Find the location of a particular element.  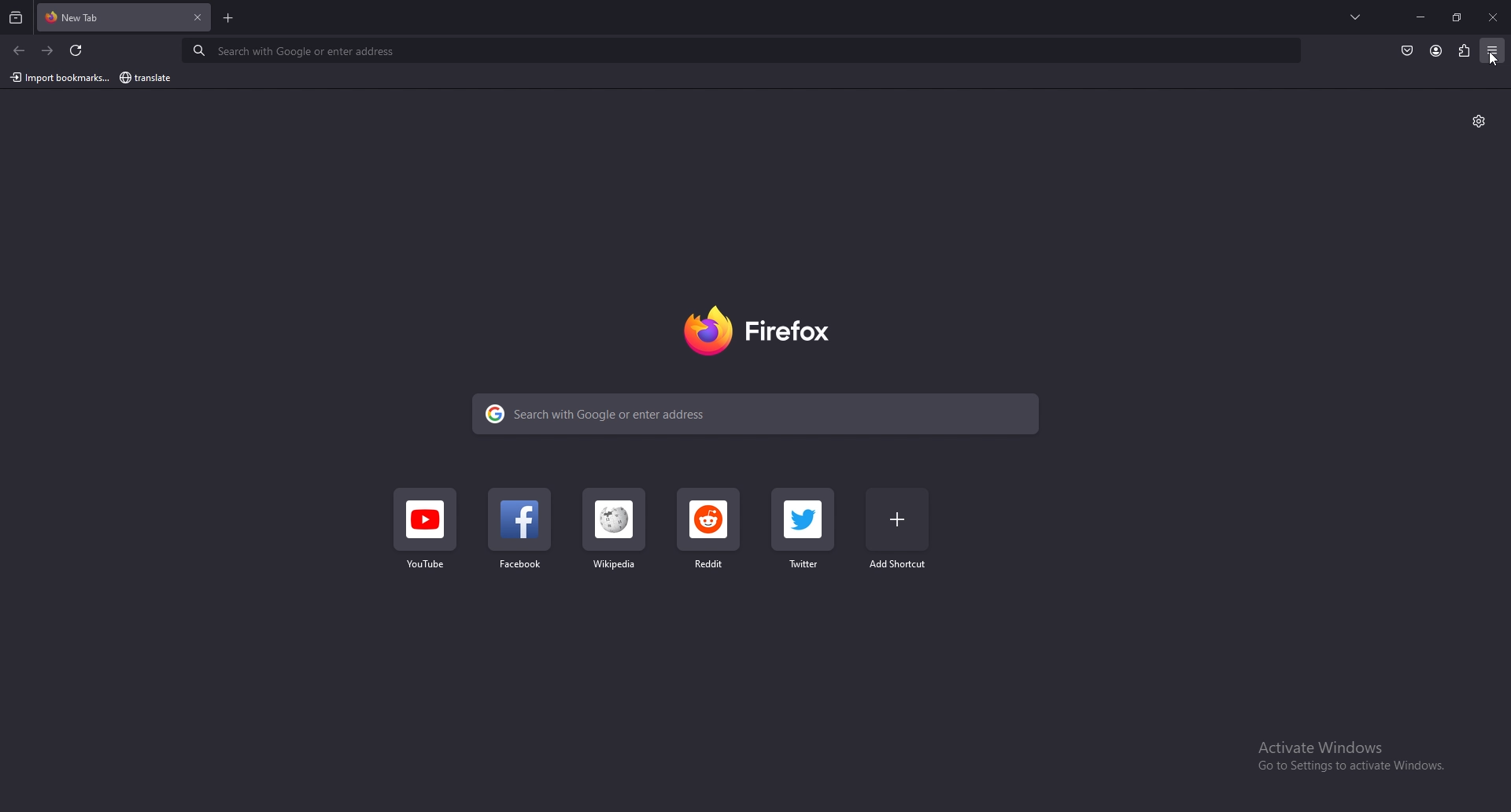

forward is located at coordinates (50, 50).